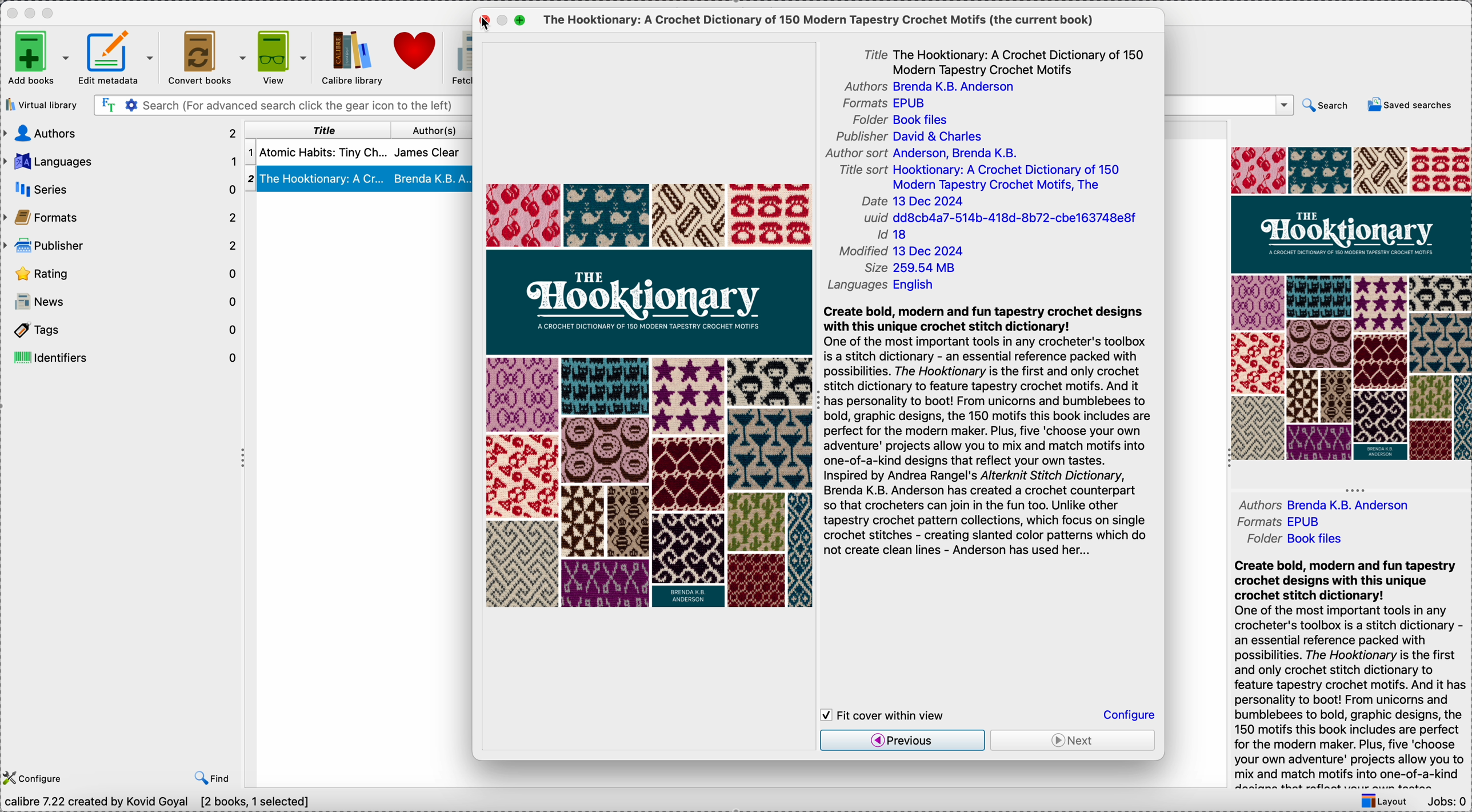  What do you see at coordinates (35, 777) in the screenshot?
I see `configure` at bounding box center [35, 777].